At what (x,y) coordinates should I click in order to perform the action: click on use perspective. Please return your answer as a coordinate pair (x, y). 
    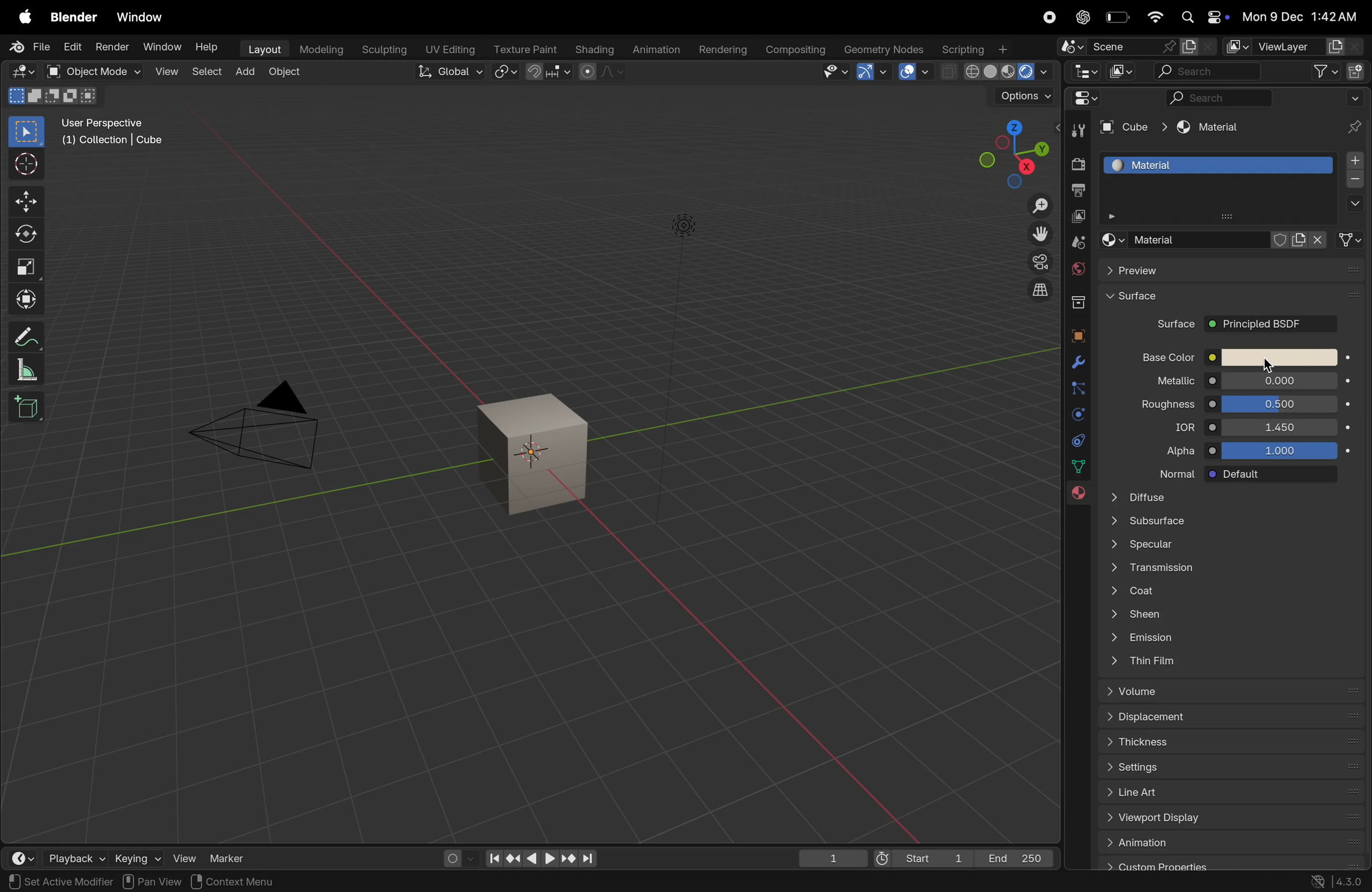
    Looking at the image, I should click on (114, 133).